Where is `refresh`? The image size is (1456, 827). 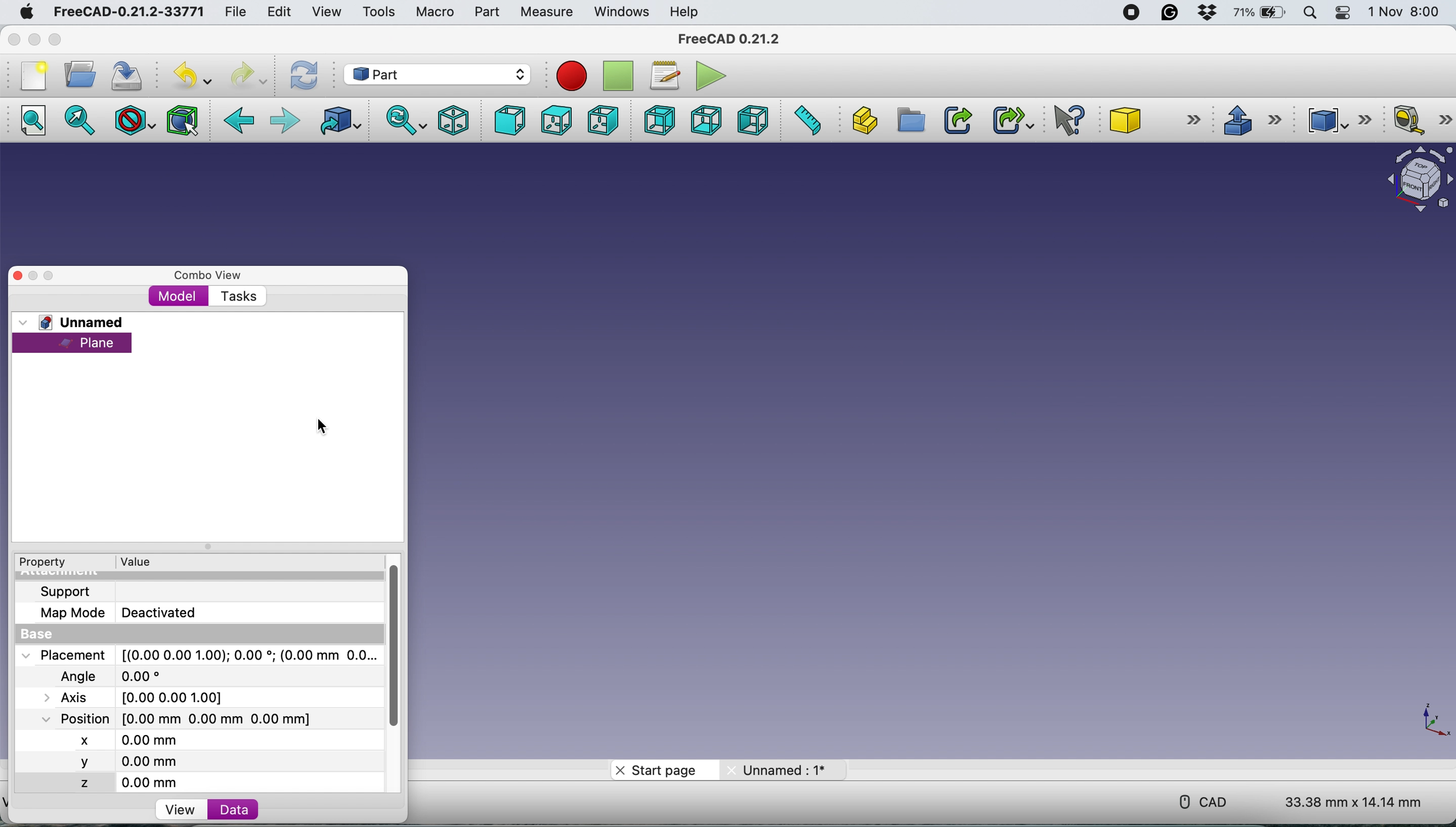
refresh is located at coordinates (305, 76).